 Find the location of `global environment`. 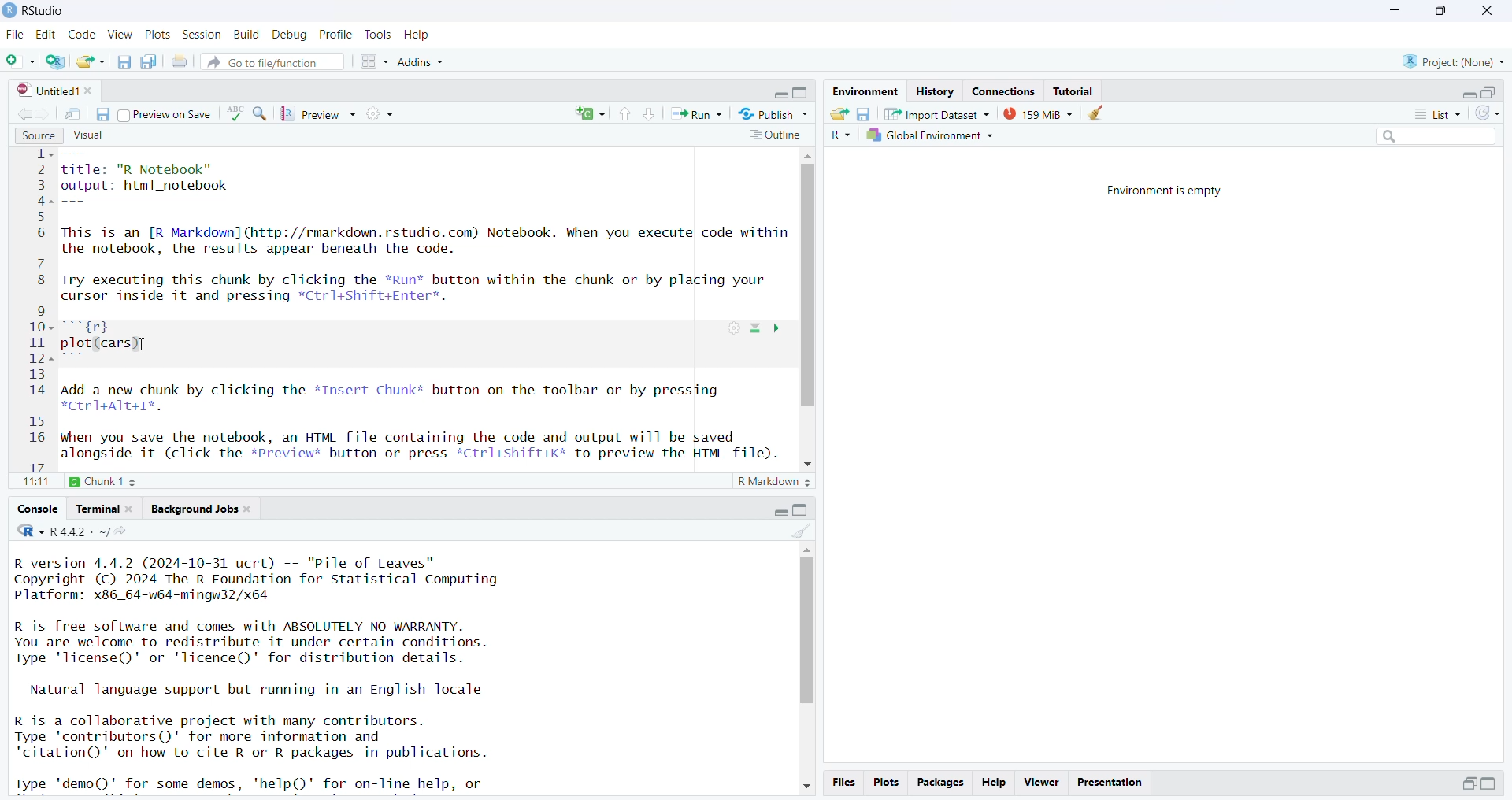

global environment is located at coordinates (928, 136).